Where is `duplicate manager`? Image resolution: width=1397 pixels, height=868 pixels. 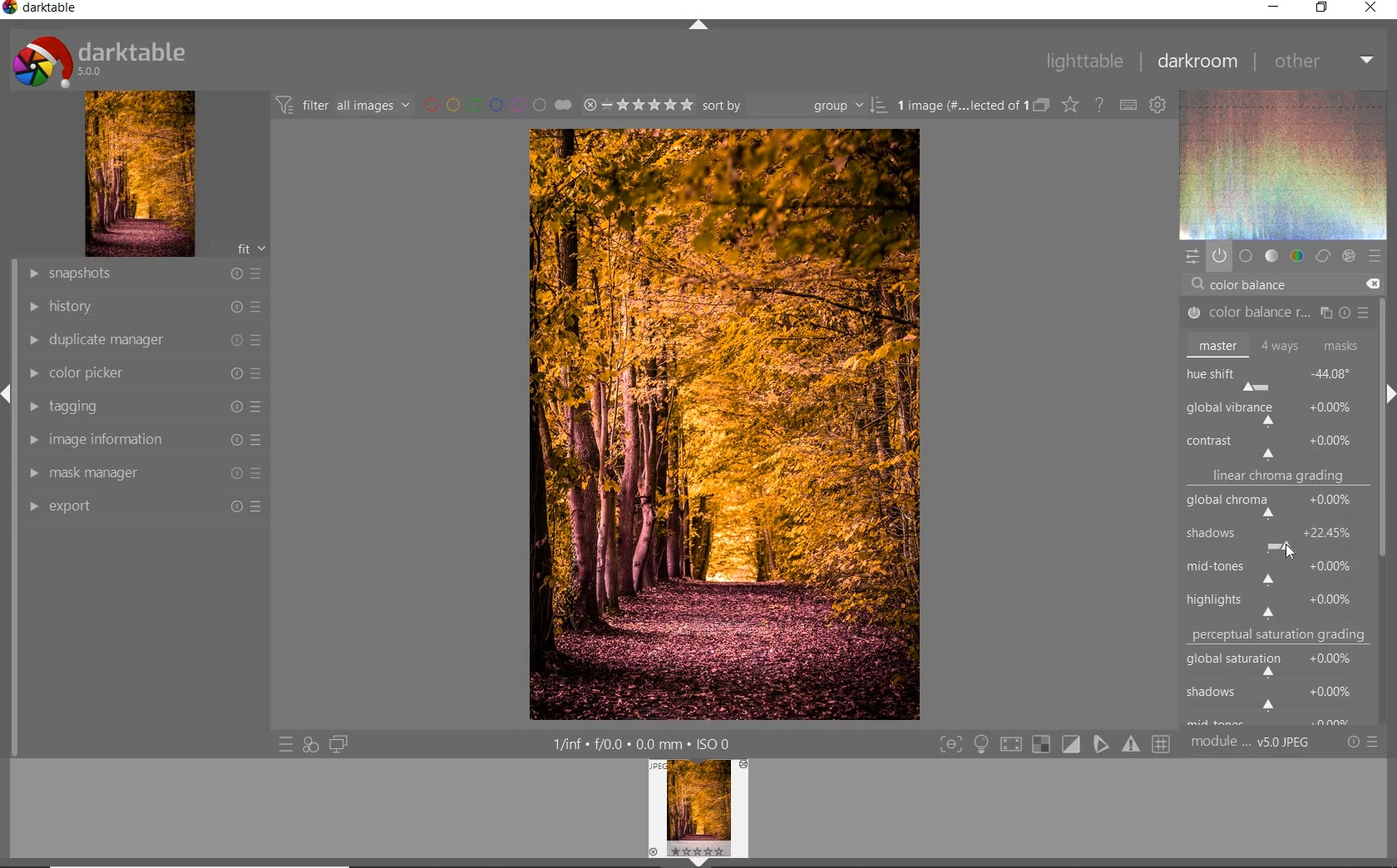
duplicate manager is located at coordinates (146, 340).